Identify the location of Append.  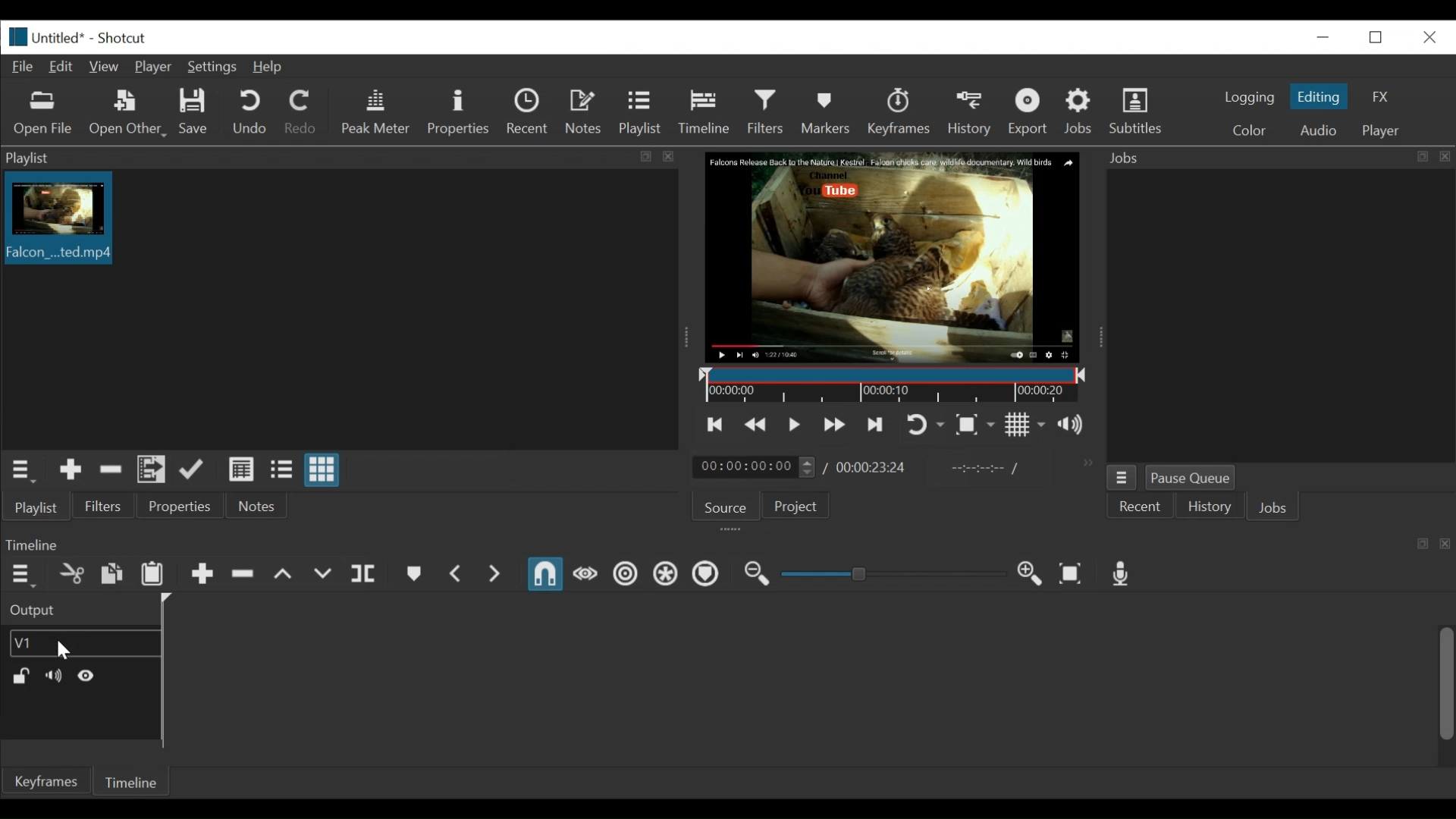
(202, 576).